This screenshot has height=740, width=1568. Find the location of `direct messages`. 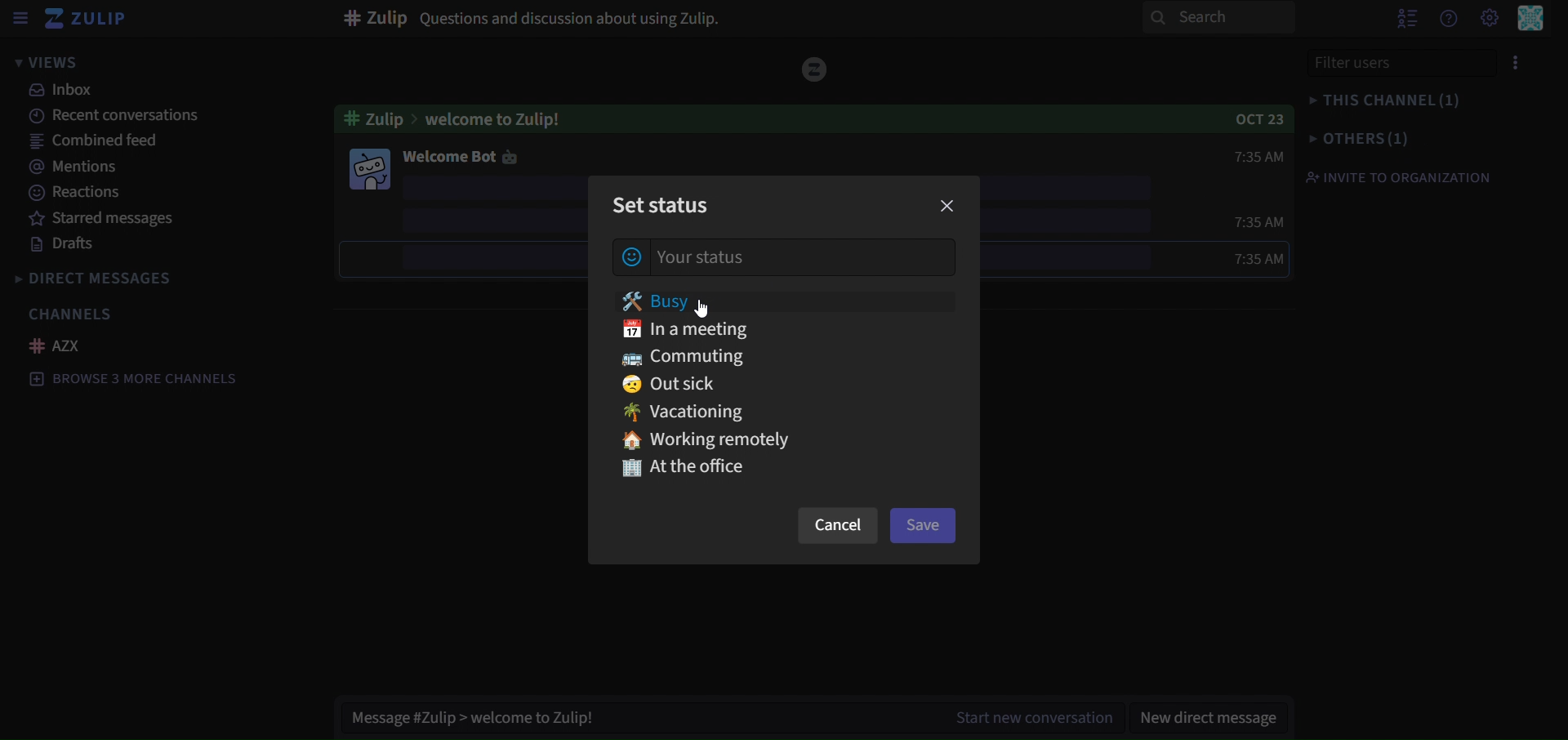

direct messages is located at coordinates (109, 278).